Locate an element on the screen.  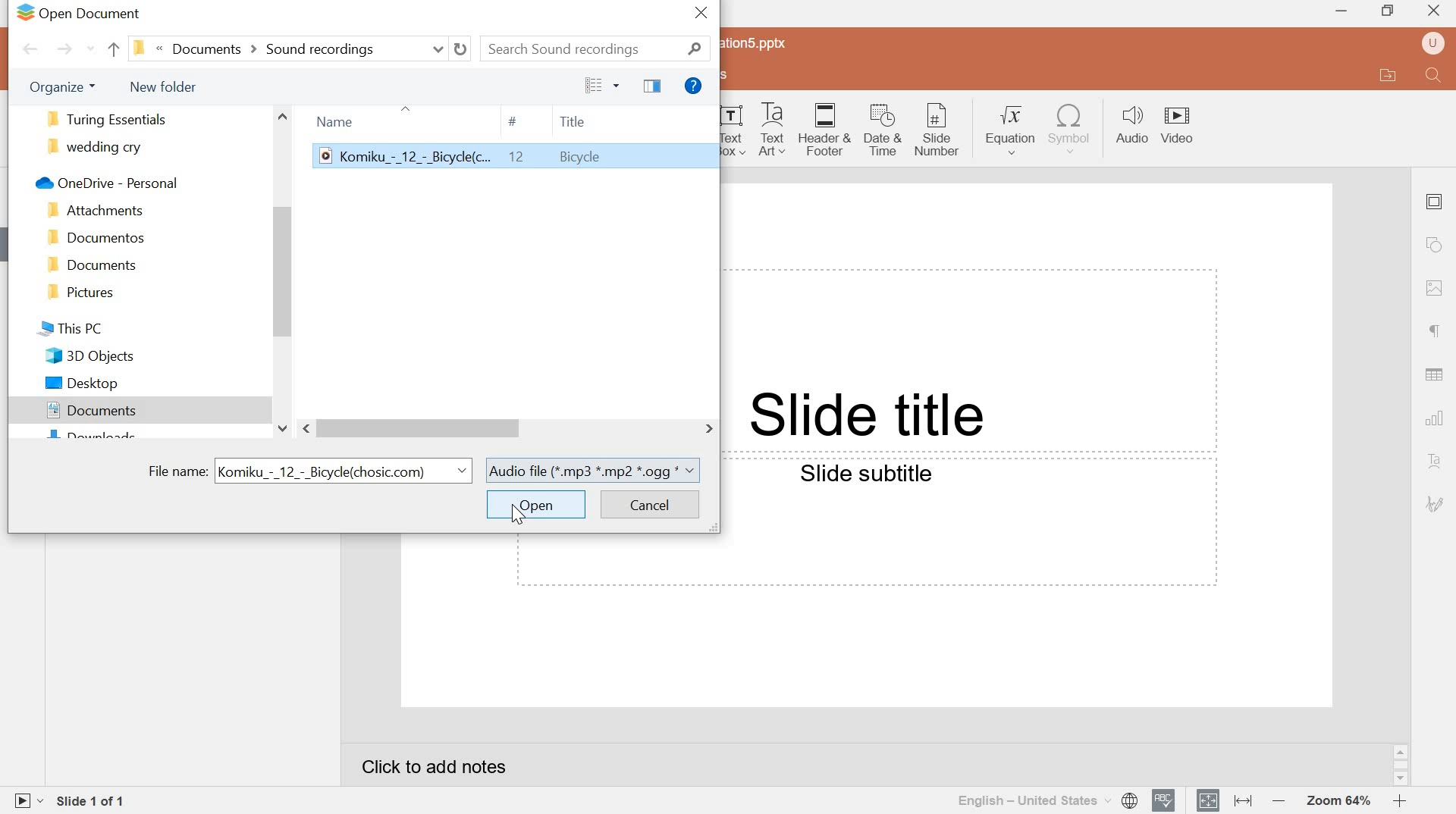
Presentation5.pptx is located at coordinates (758, 42).